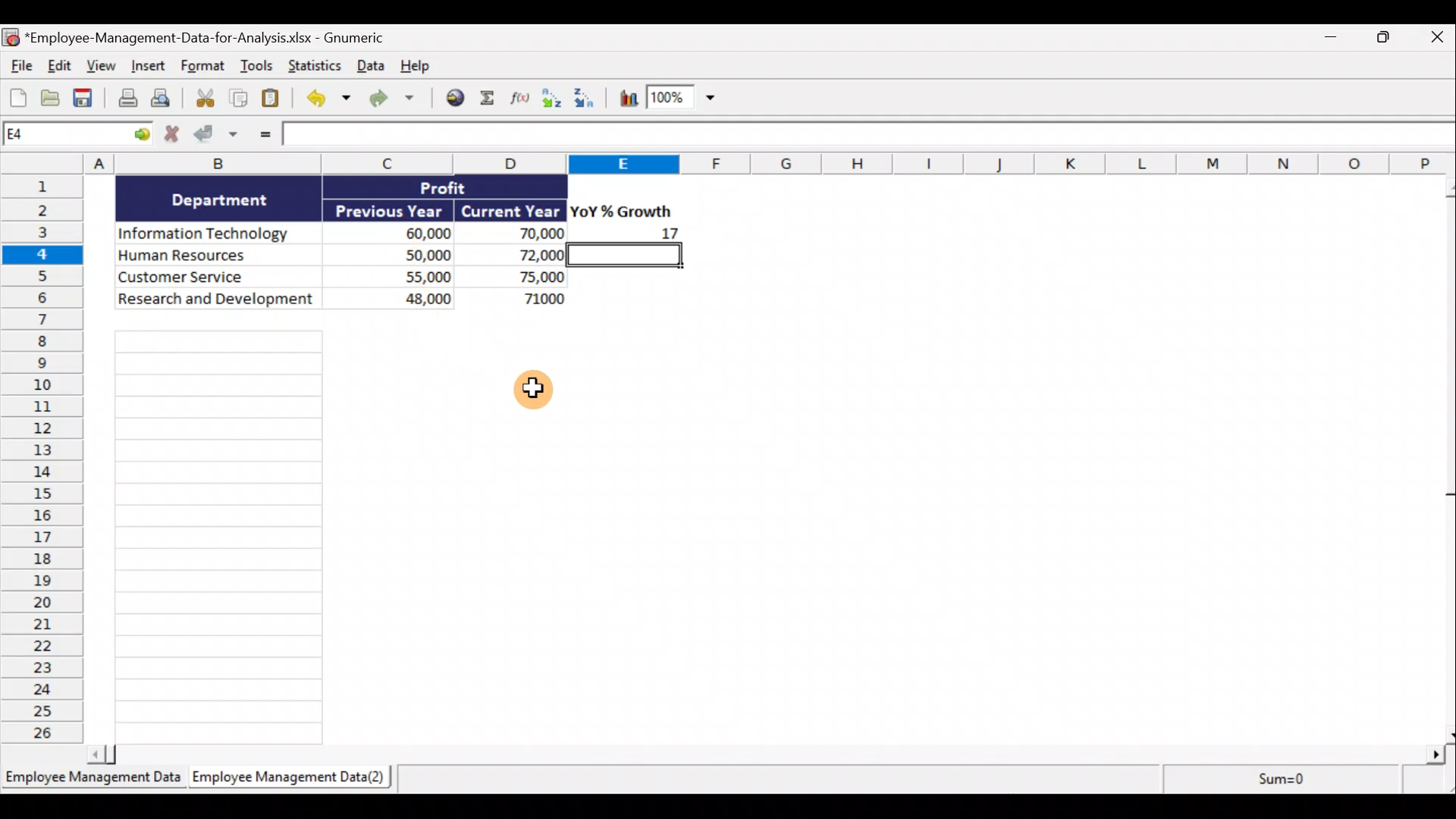 This screenshot has width=1456, height=819. I want to click on Save the current workbook, so click(86, 99).